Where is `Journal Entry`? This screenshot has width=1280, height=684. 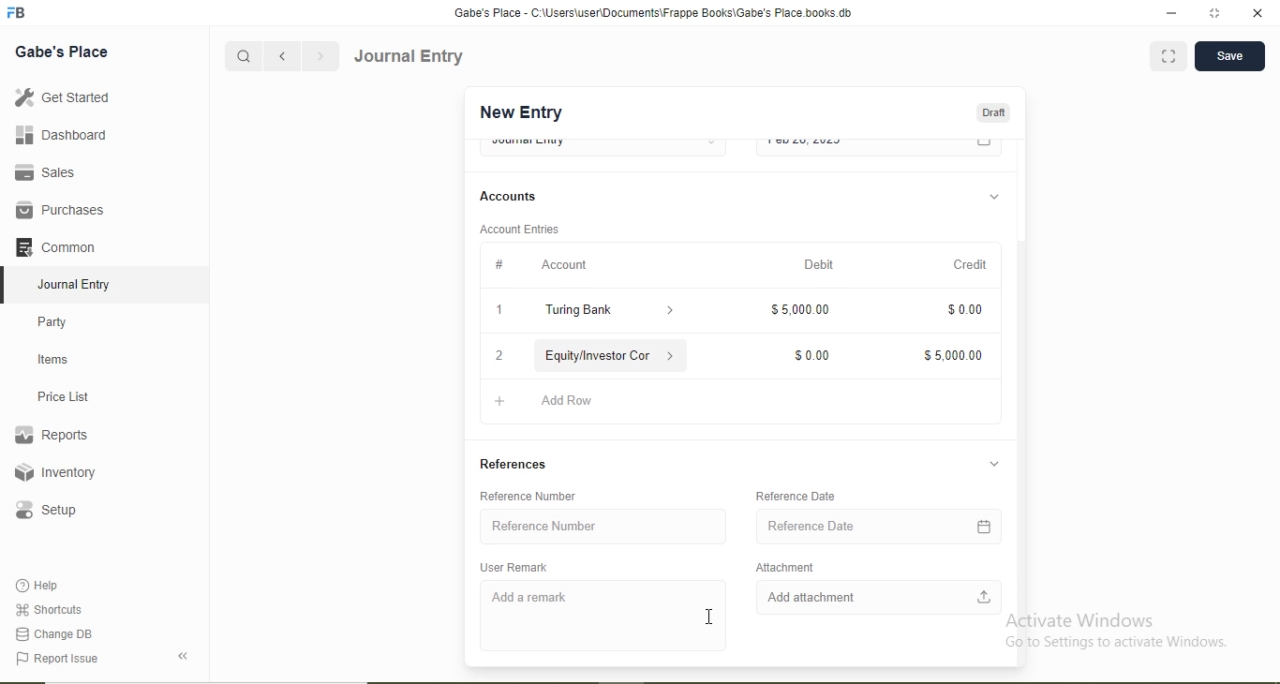 Journal Entry is located at coordinates (410, 56).